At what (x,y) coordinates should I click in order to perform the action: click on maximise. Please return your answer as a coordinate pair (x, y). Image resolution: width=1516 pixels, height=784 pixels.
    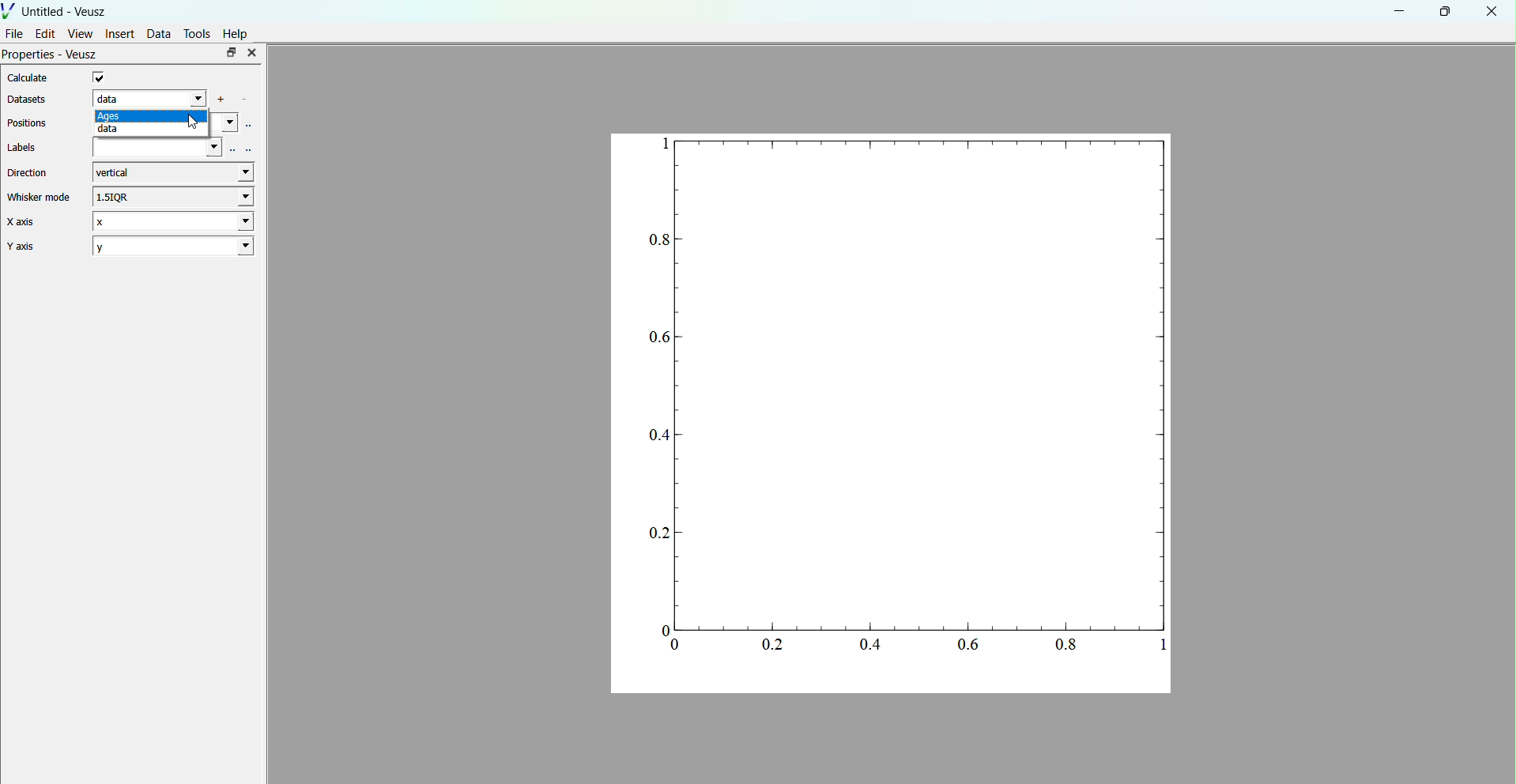
    Looking at the image, I should click on (231, 52).